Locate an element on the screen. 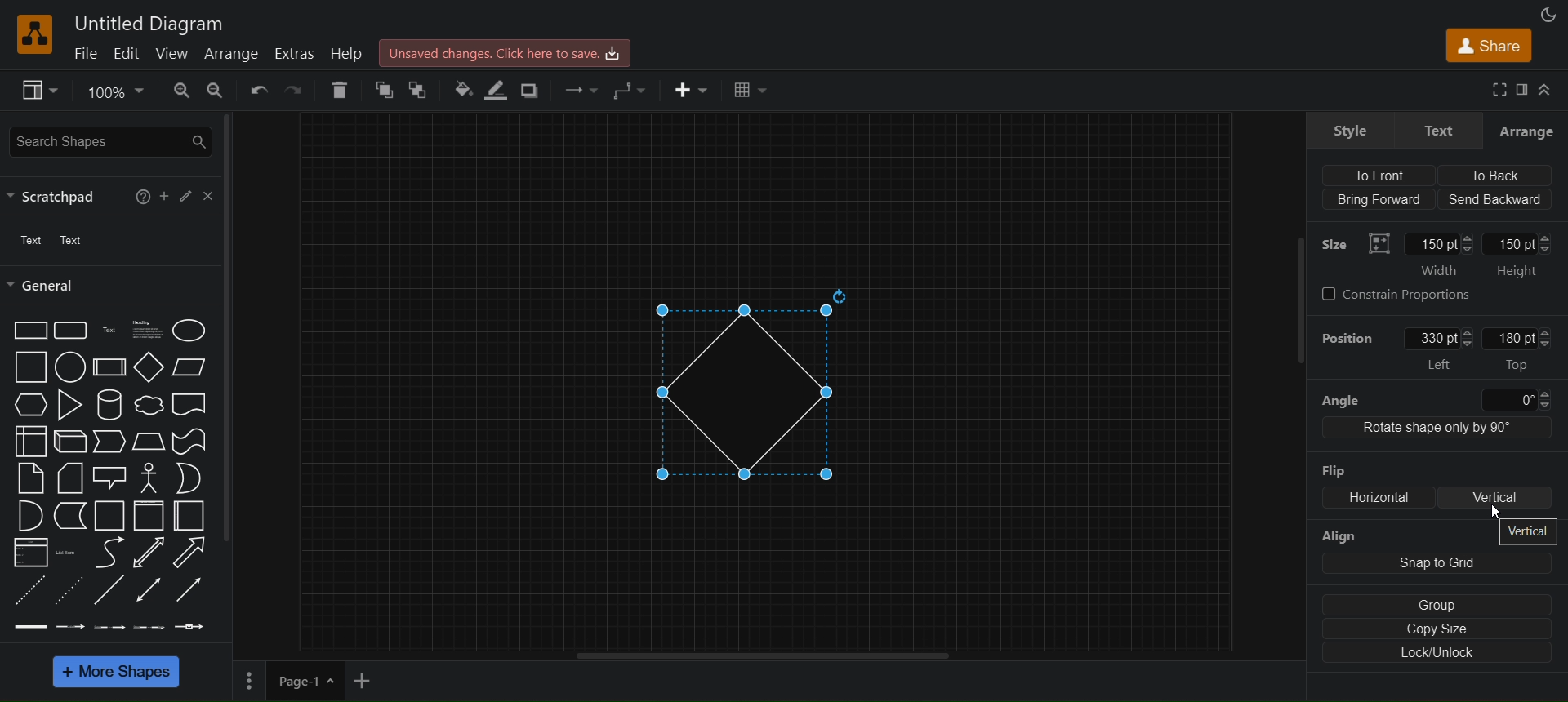 The width and height of the screenshot is (1568, 702). redo is located at coordinates (292, 91).